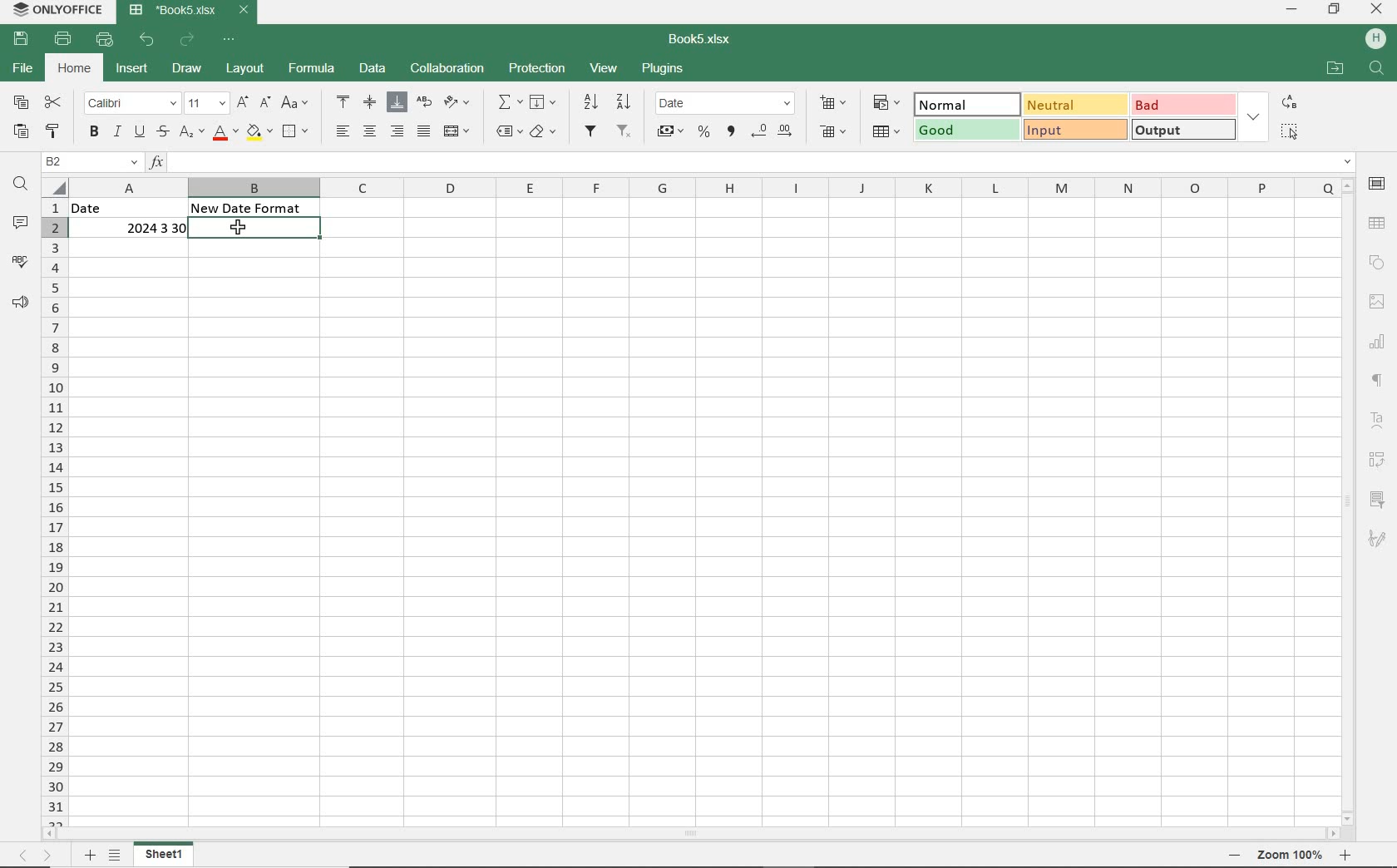 The width and height of the screenshot is (1397, 868). Describe the element at coordinates (833, 132) in the screenshot. I see `DELETE CELLS` at that location.